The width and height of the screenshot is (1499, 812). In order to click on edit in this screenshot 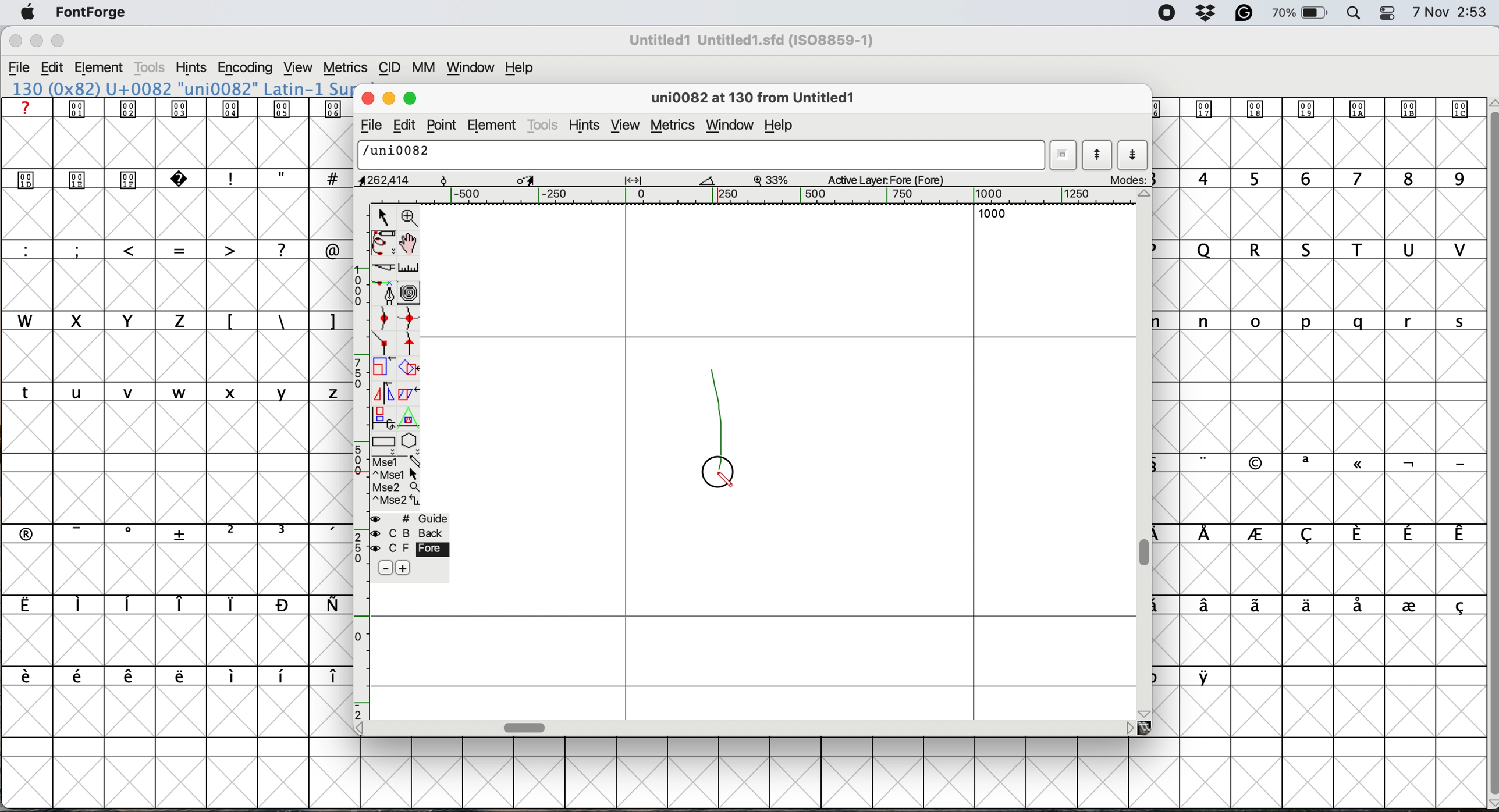, I will do `click(58, 68)`.